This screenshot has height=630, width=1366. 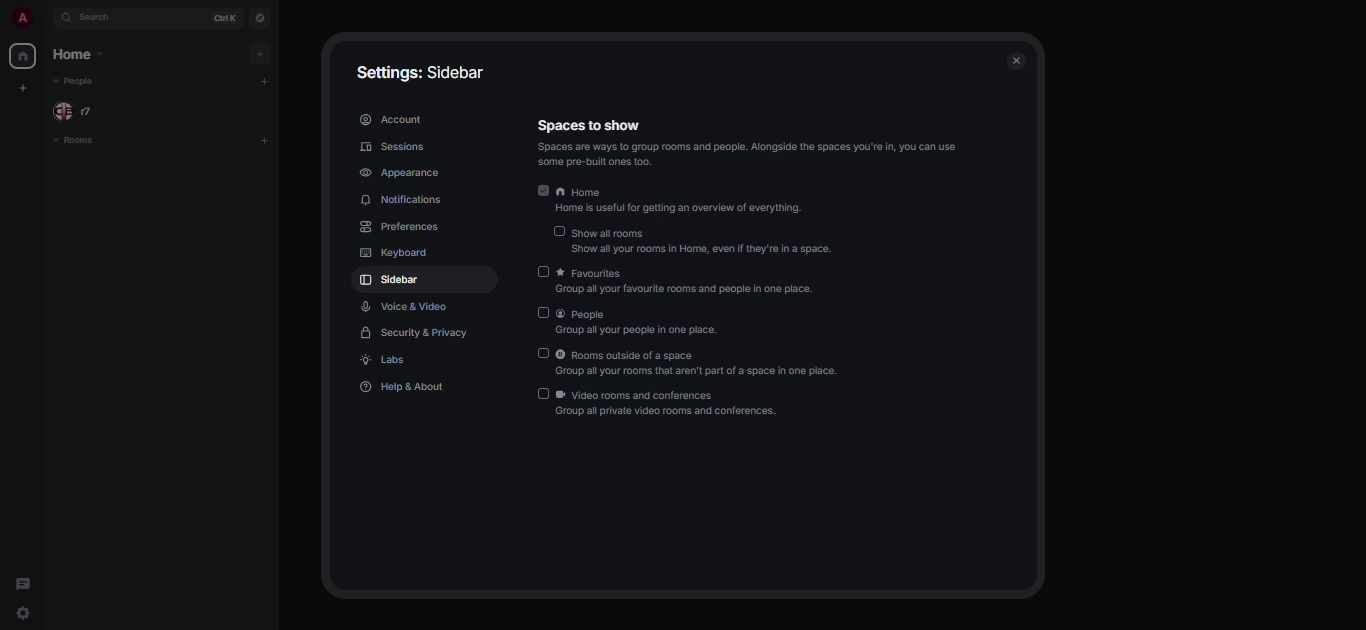 What do you see at coordinates (24, 91) in the screenshot?
I see `create space` at bounding box center [24, 91].